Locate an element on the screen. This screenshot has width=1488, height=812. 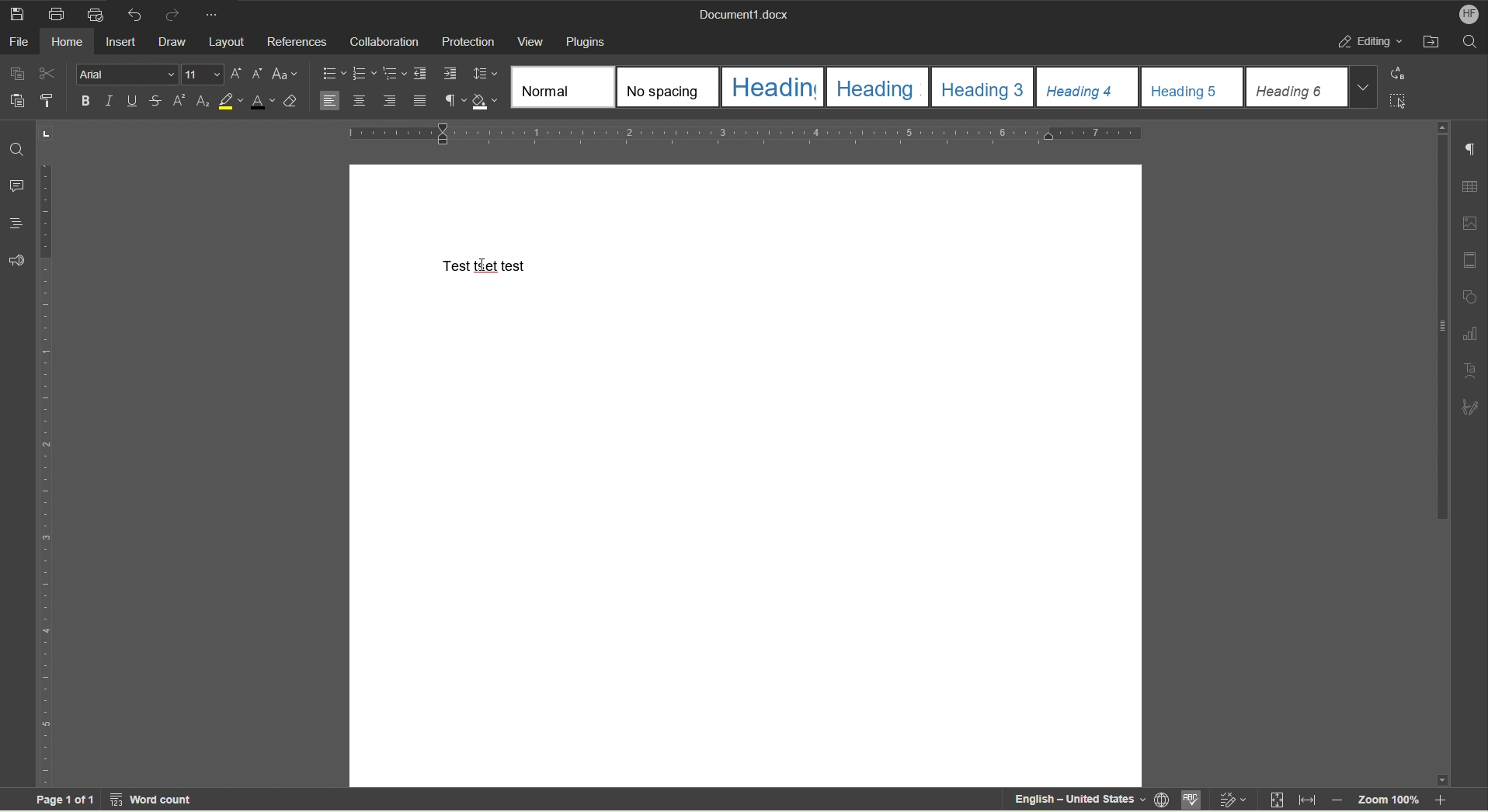
Heading 6 is located at coordinates (1314, 87).